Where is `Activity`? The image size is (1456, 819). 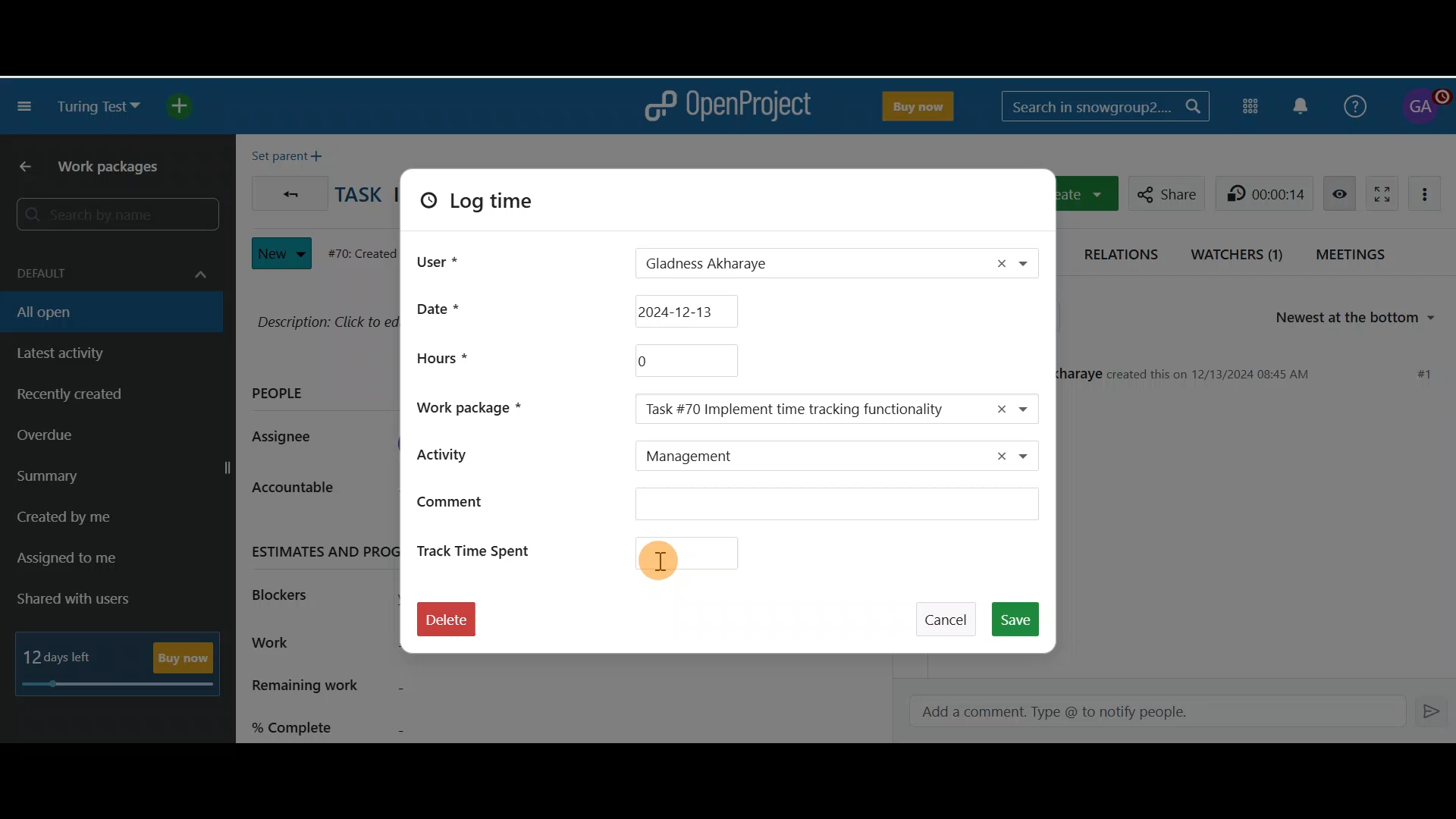
Activity is located at coordinates (472, 453).